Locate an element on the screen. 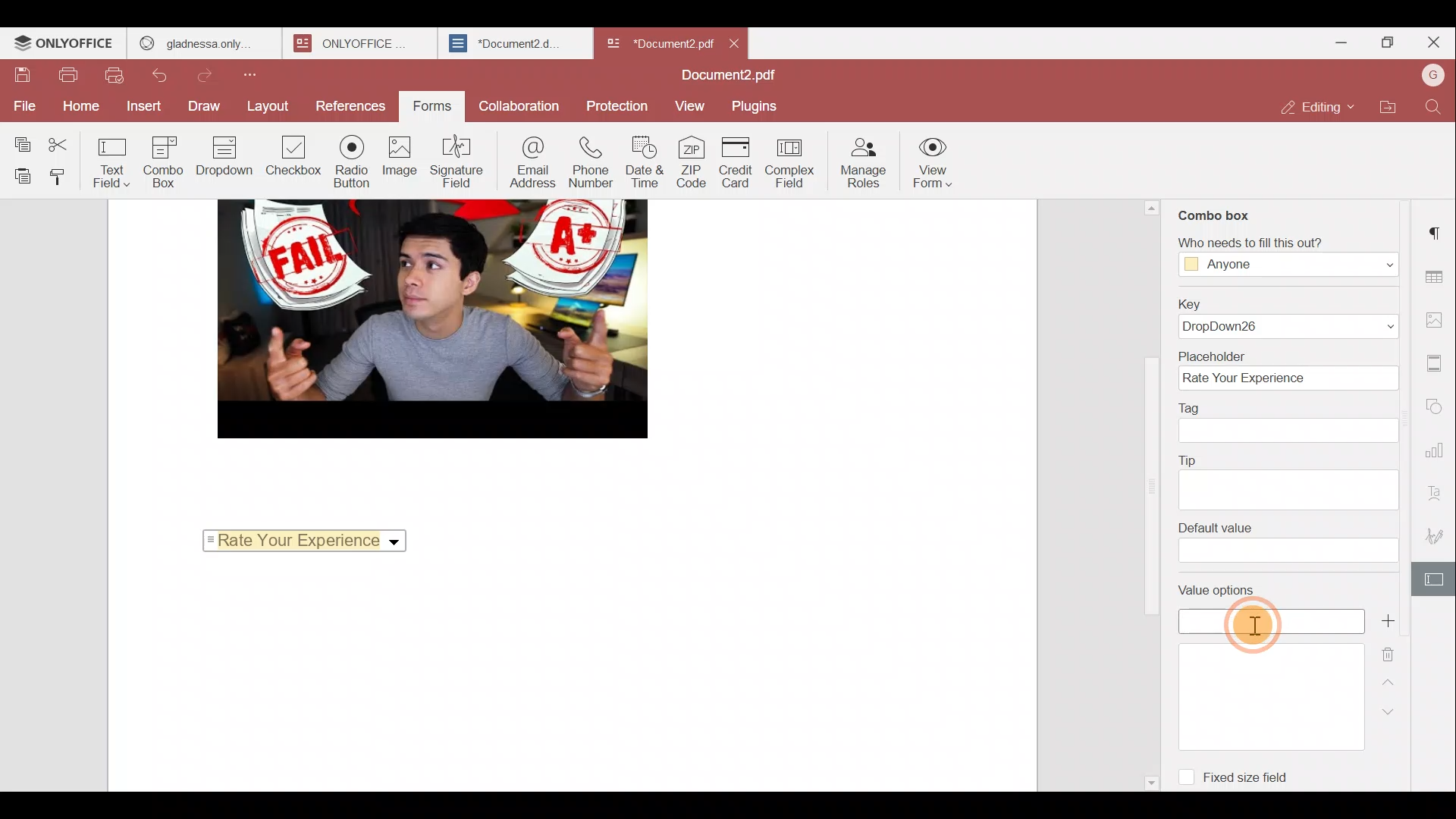 The height and width of the screenshot is (819, 1456). Phone number is located at coordinates (591, 164).